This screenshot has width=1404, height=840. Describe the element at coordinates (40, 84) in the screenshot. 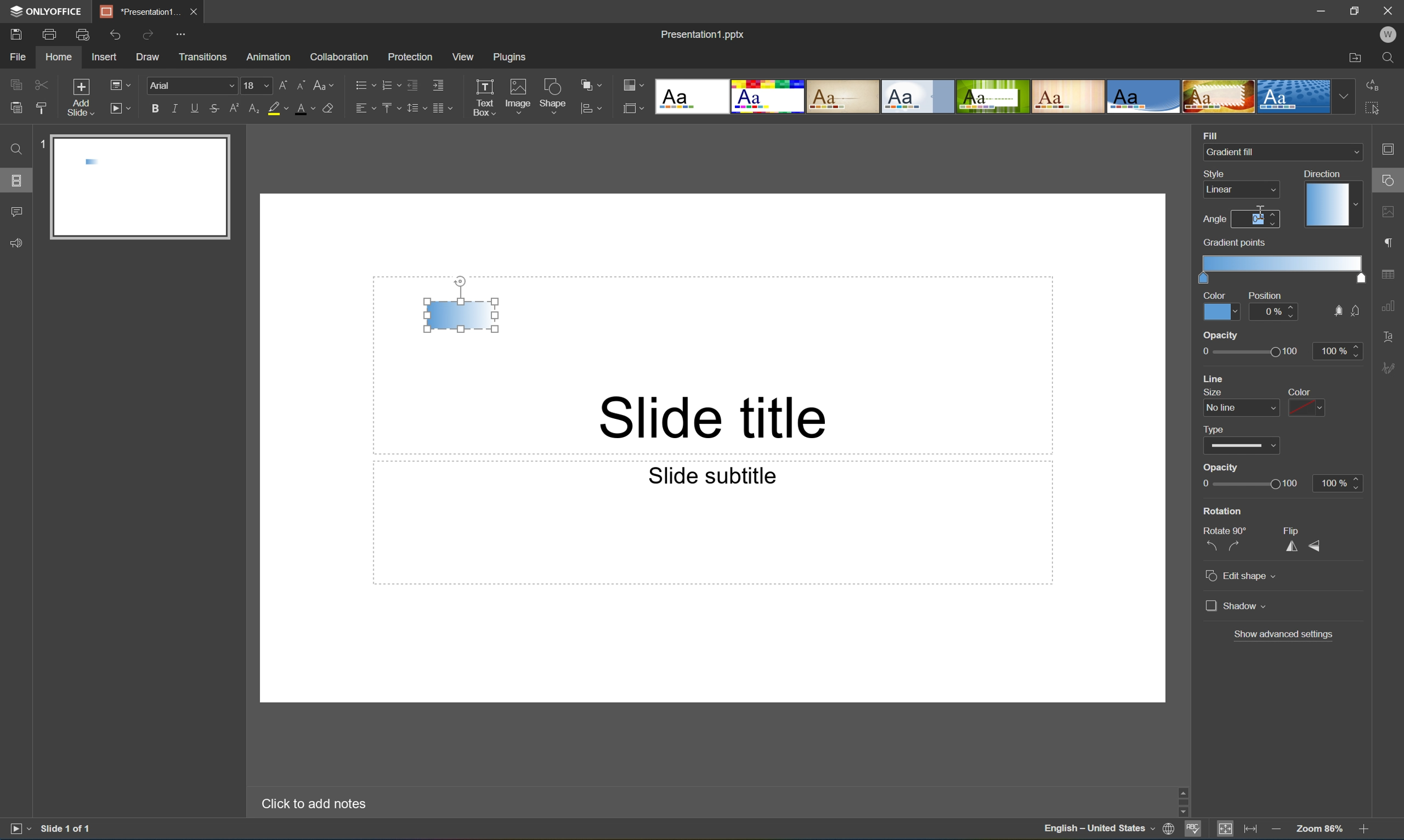

I see `Cut` at that location.